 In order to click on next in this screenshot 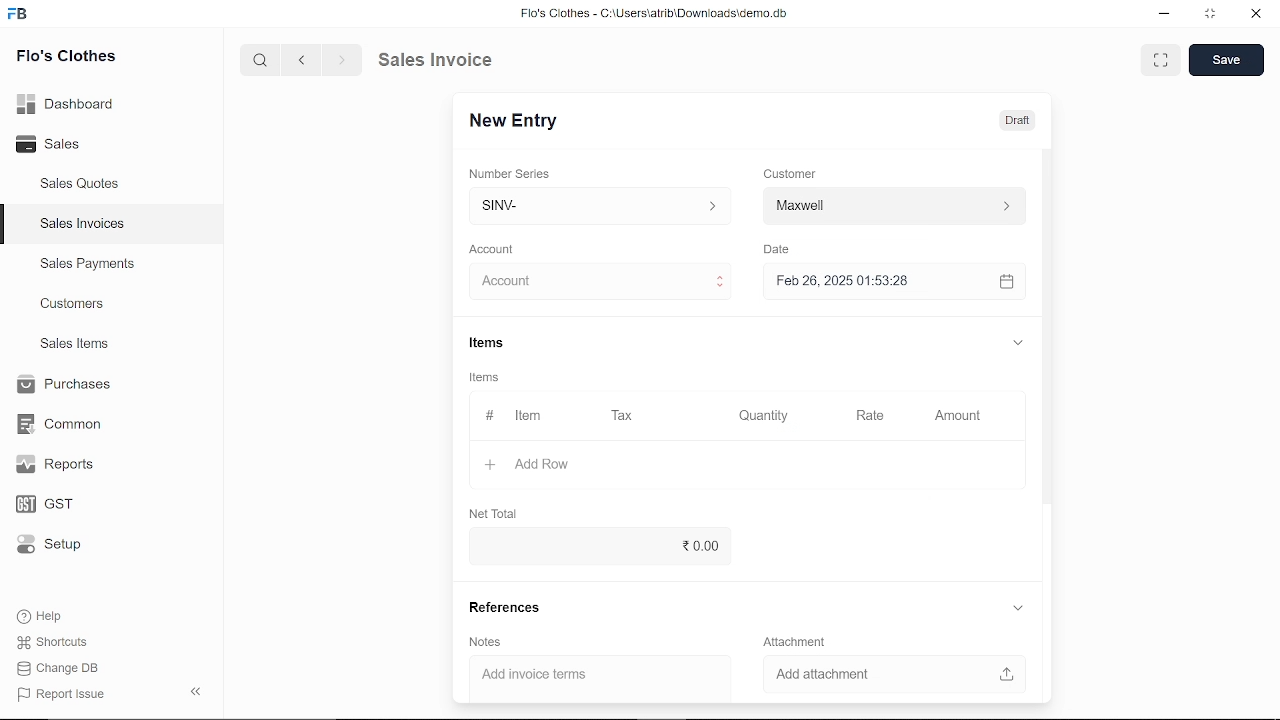, I will do `click(342, 60)`.